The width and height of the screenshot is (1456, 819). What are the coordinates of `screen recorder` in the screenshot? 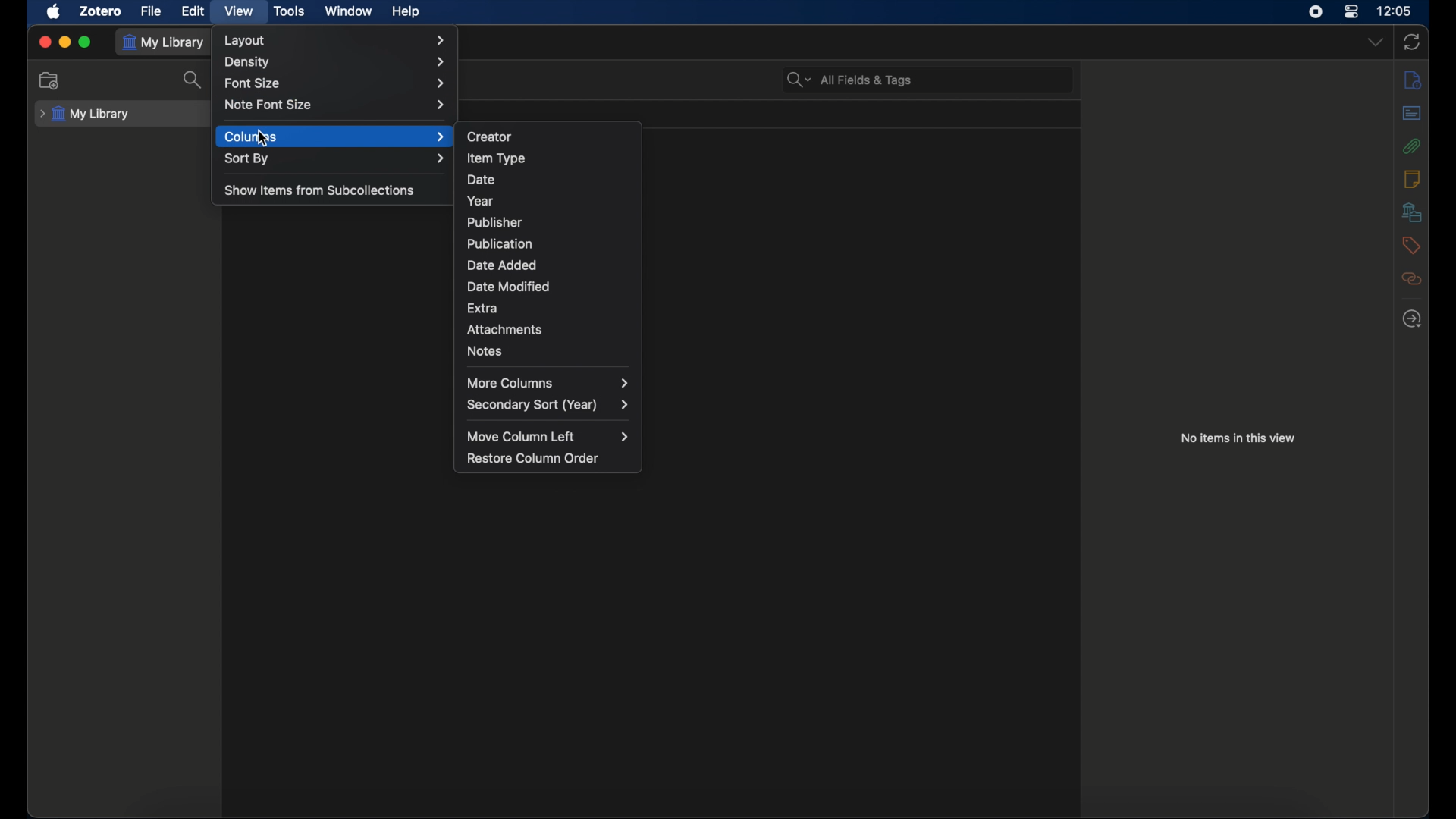 It's located at (1314, 12).